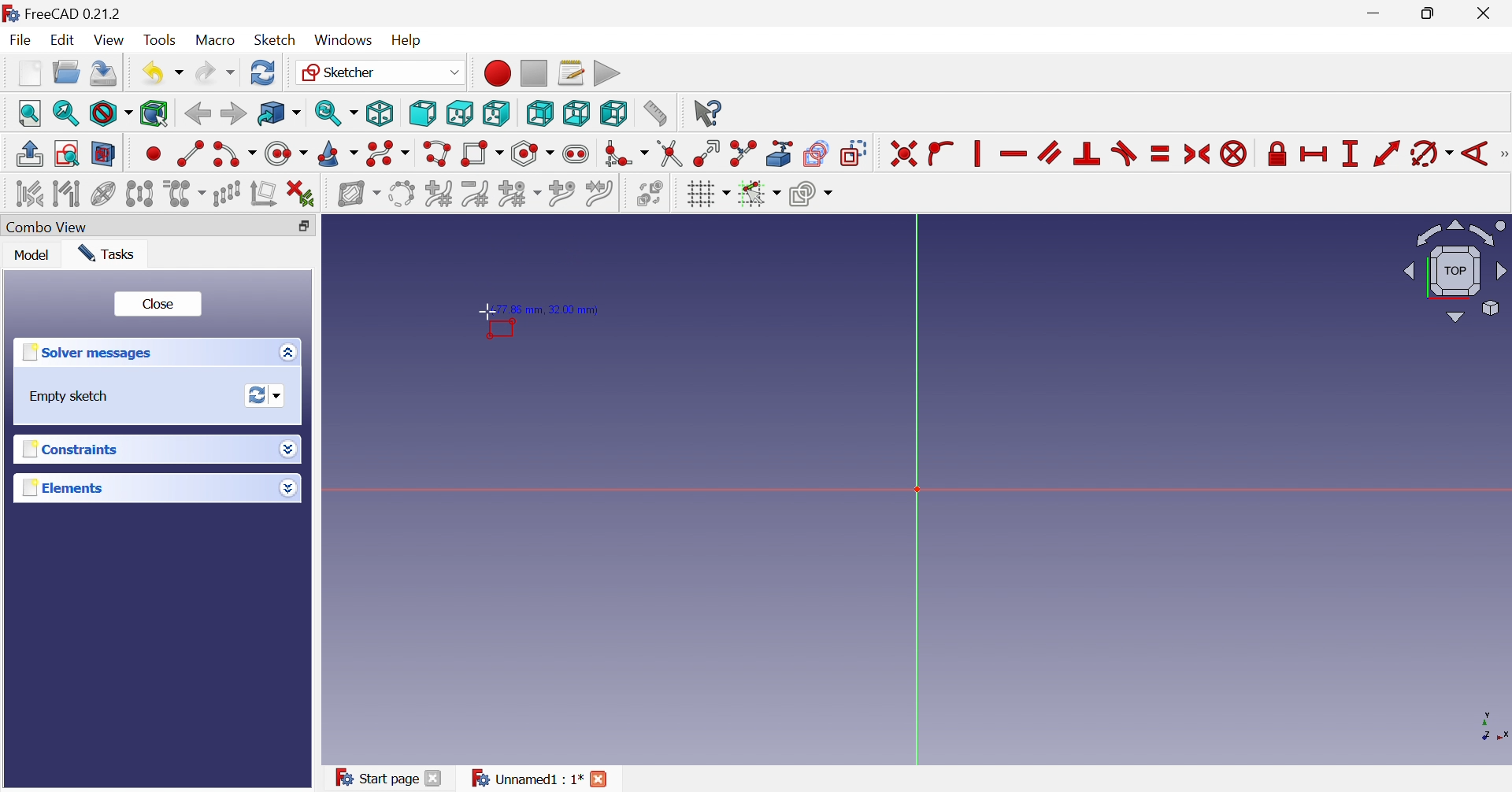  What do you see at coordinates (811, 196) in the screenshot?
I see `Configure rendering` at bounding box center [811, 196].